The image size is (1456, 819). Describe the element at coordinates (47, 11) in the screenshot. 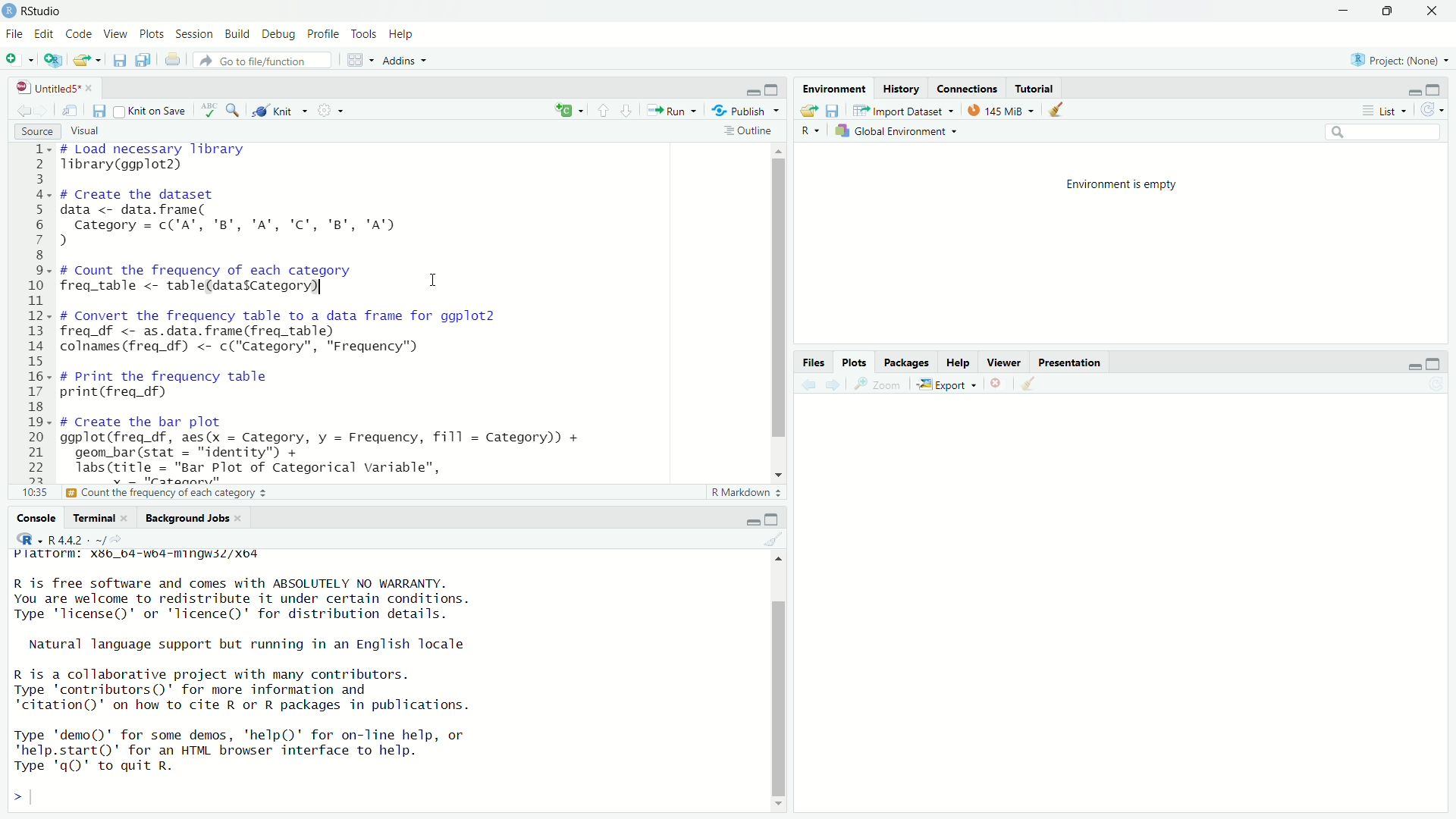

I see `RStudio` at that location.